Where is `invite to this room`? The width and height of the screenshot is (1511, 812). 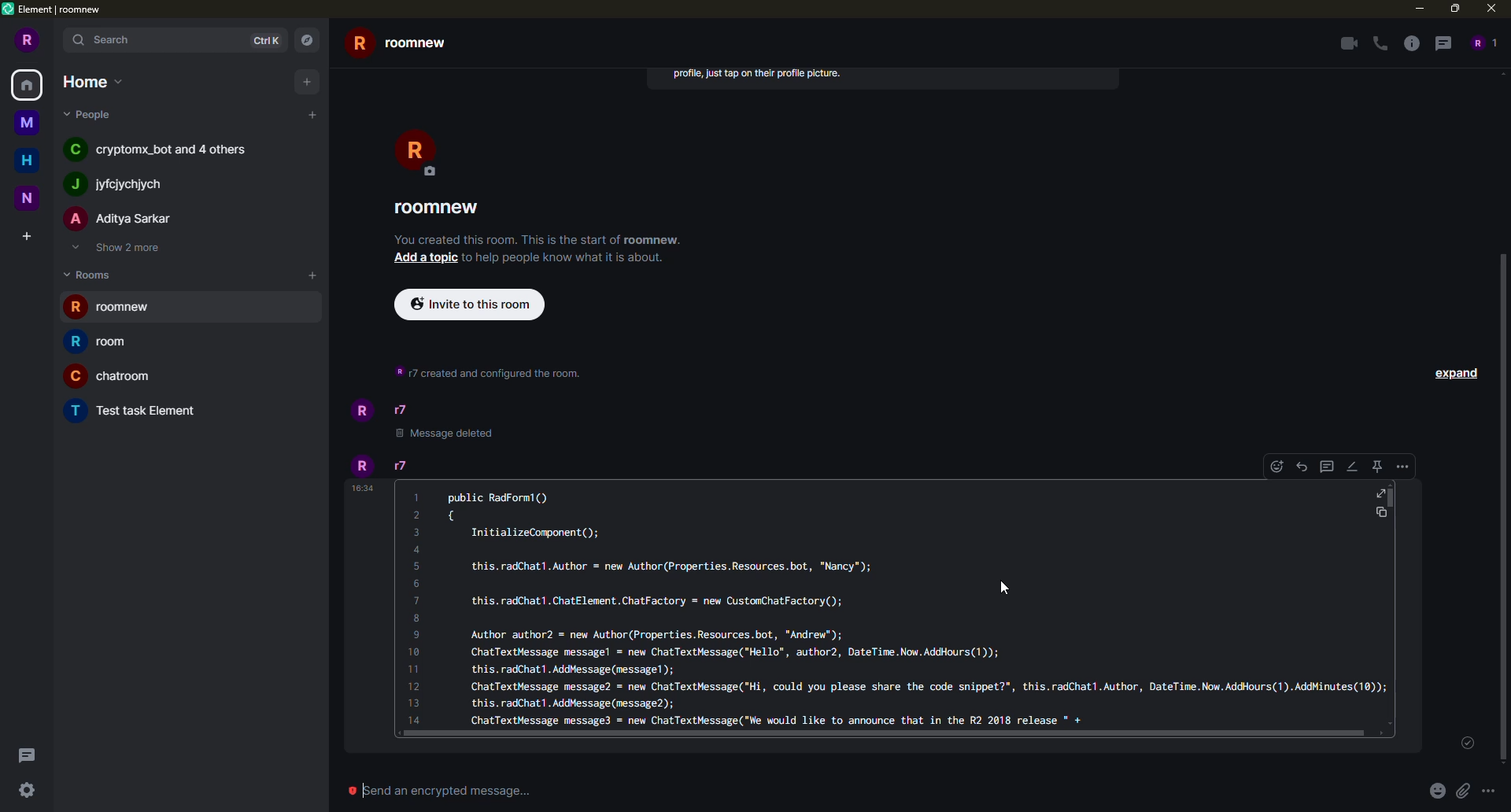 invite to this room is located at coordinates (470, 304).